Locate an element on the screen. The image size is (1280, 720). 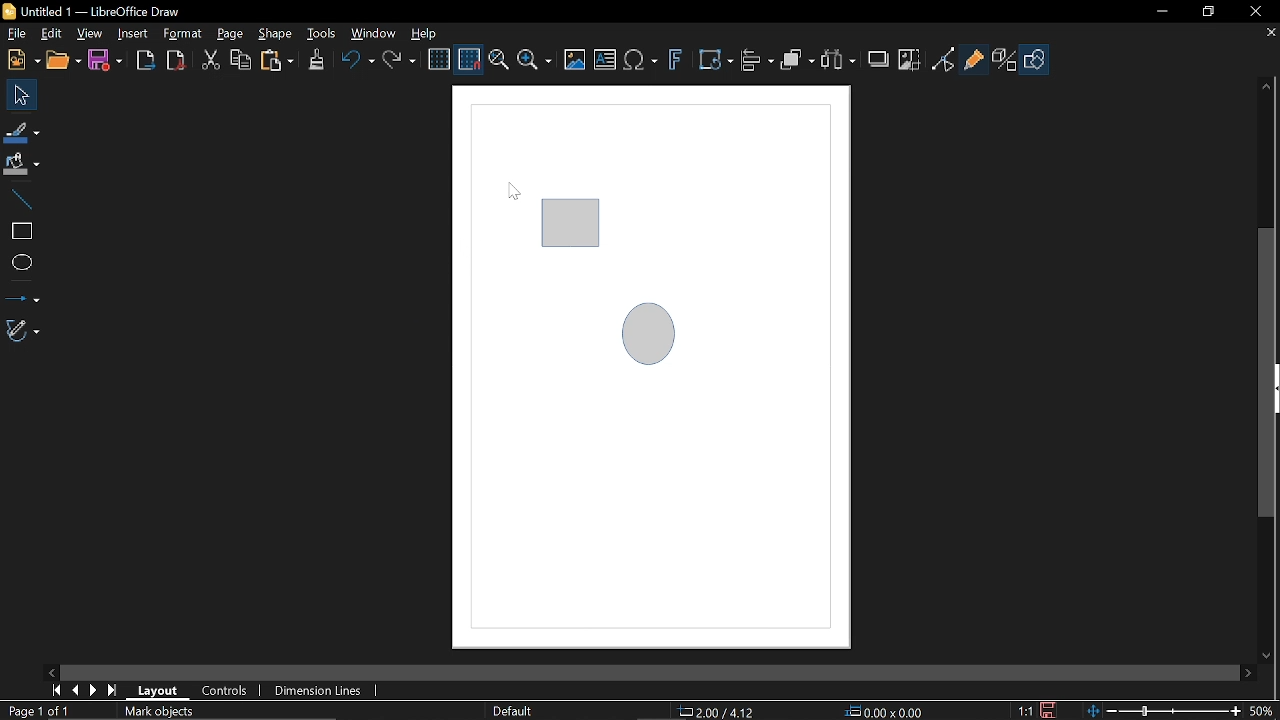
Save as pdf is located at coordinates (175, 60).